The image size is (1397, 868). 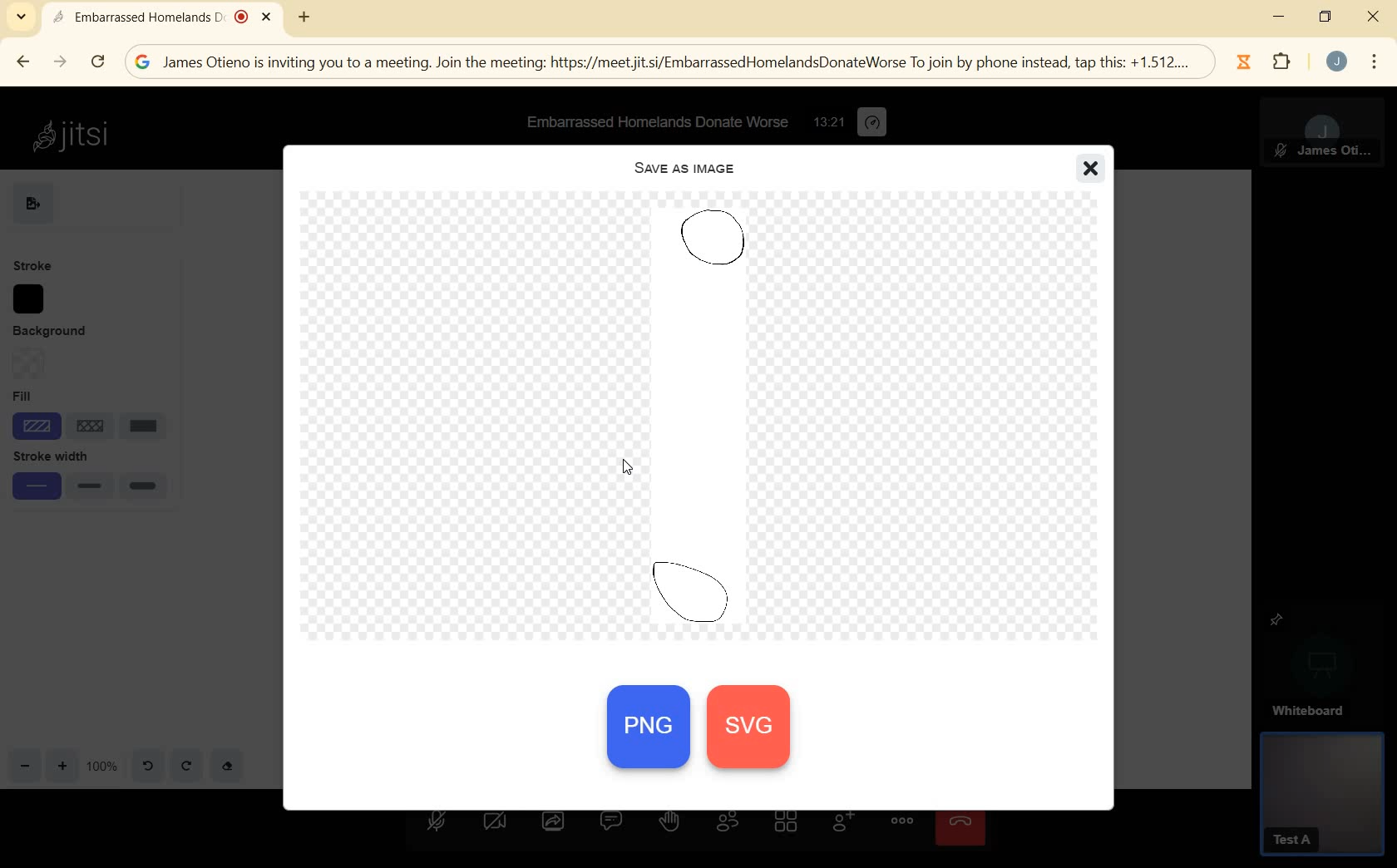 What do you see at coordinates (103, 768) in the screenshot?
I see `zoom factor` at bounding box center [103, 768].